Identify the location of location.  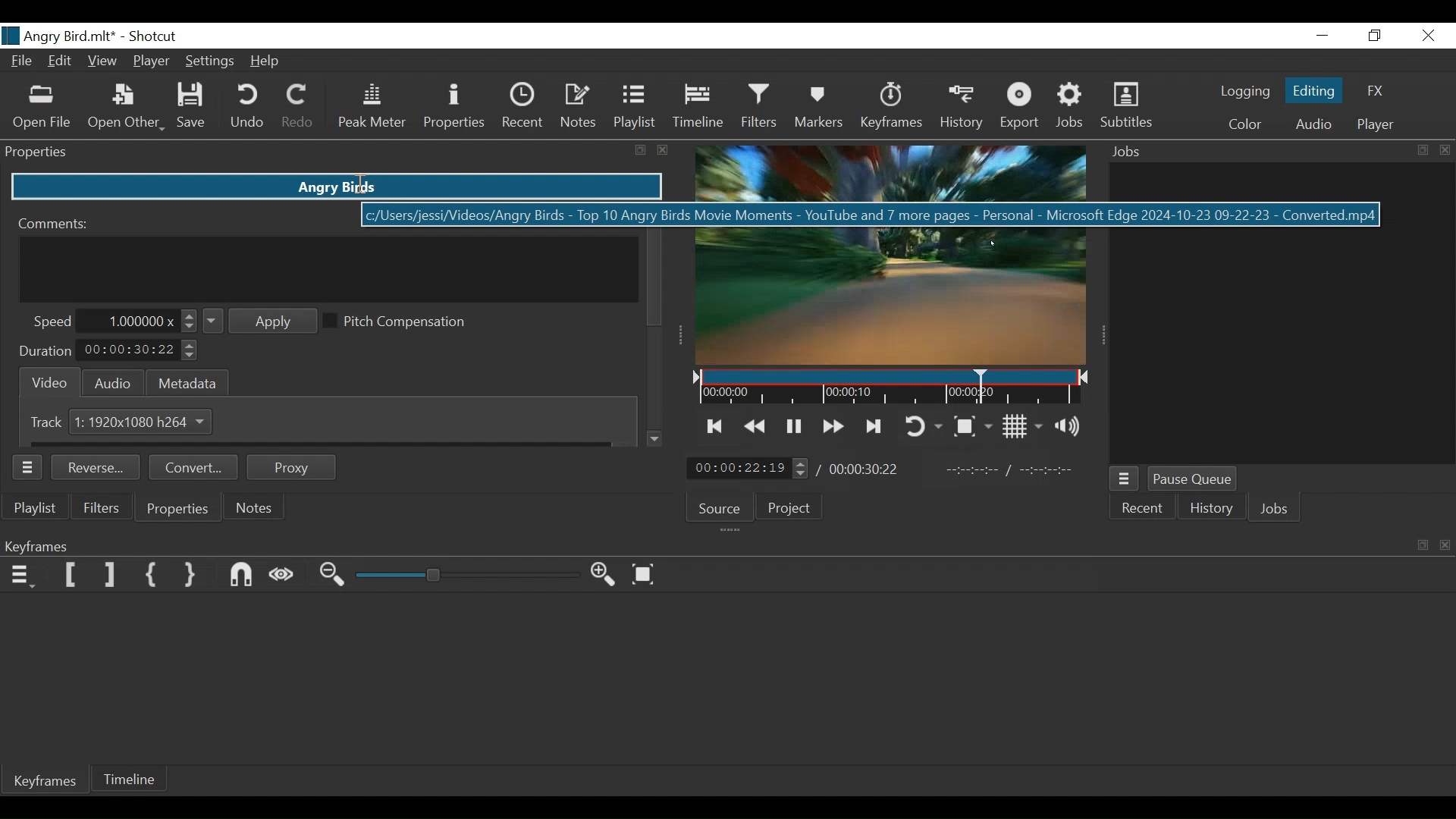
(617, 288).